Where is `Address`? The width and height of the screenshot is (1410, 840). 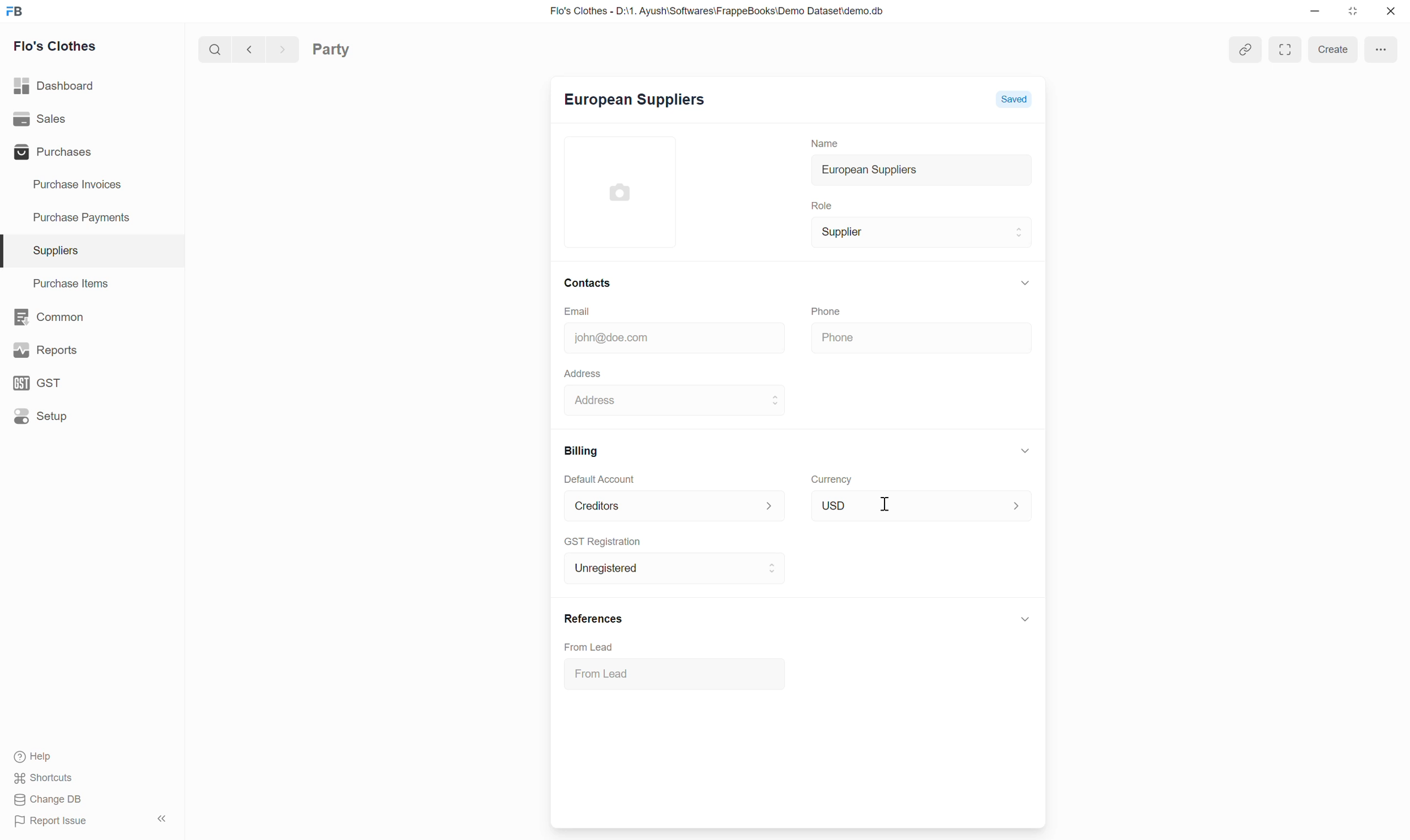
Address is located at coordinates (578, 371).